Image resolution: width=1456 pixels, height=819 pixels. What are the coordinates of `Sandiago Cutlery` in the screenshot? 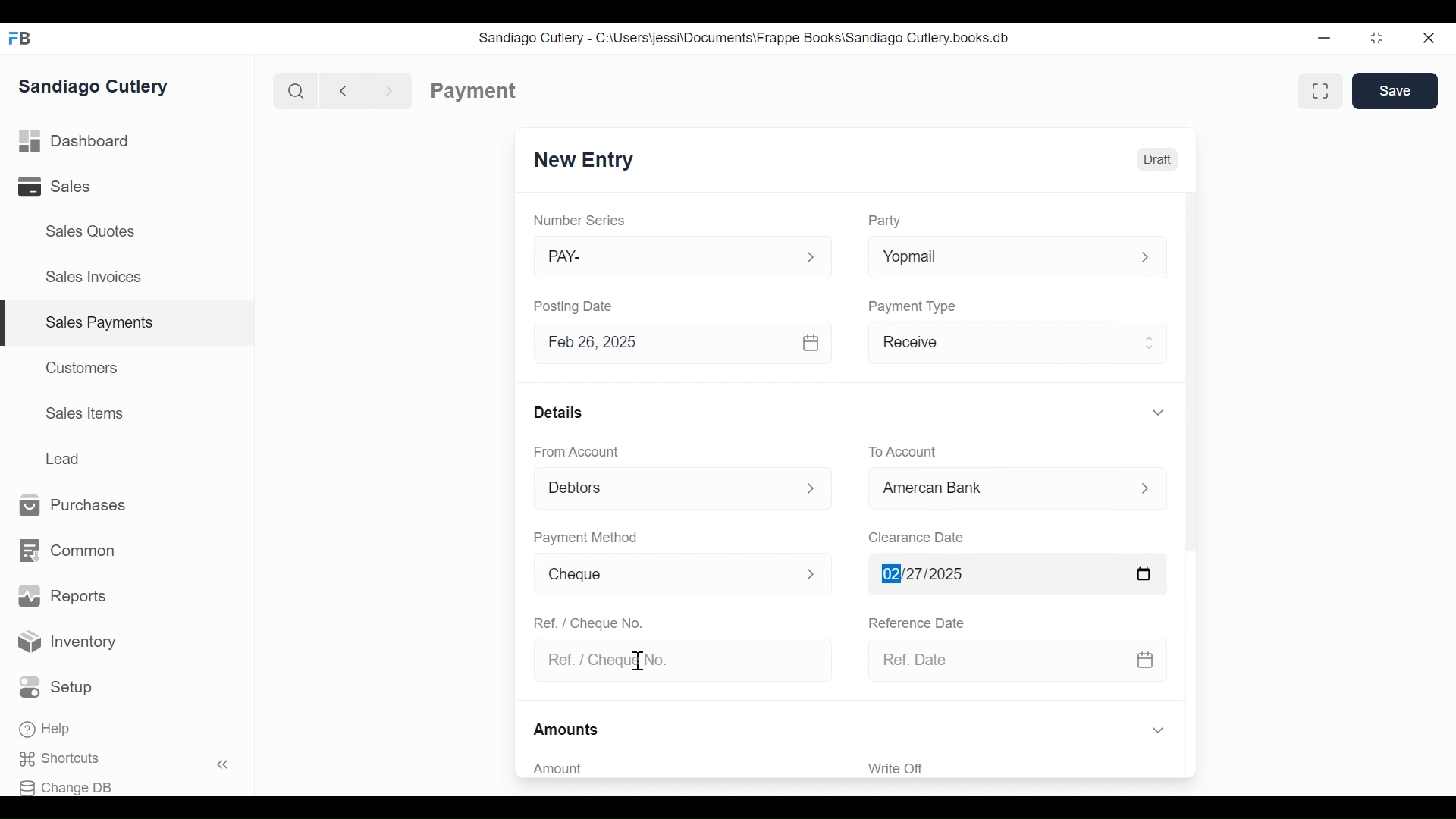 It's located at (96, 86).